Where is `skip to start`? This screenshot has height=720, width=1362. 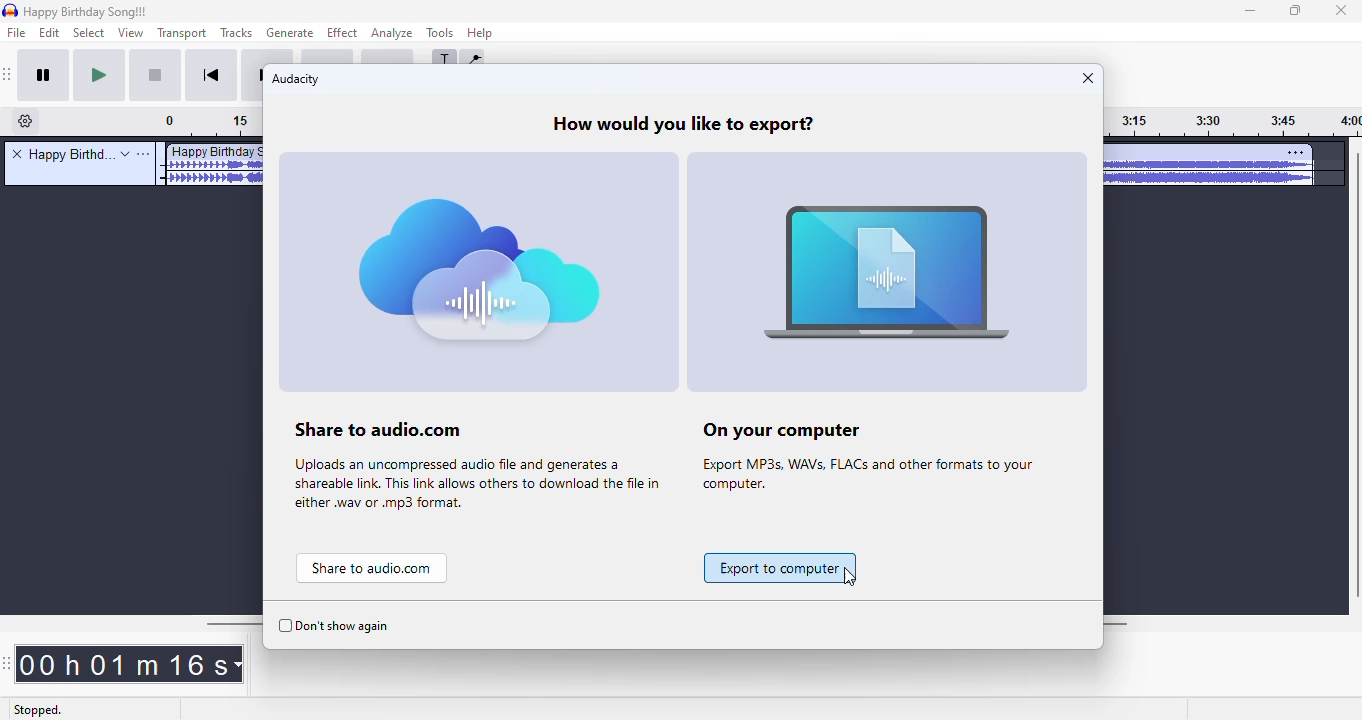
skip to start is located at coordinates (214, 76).